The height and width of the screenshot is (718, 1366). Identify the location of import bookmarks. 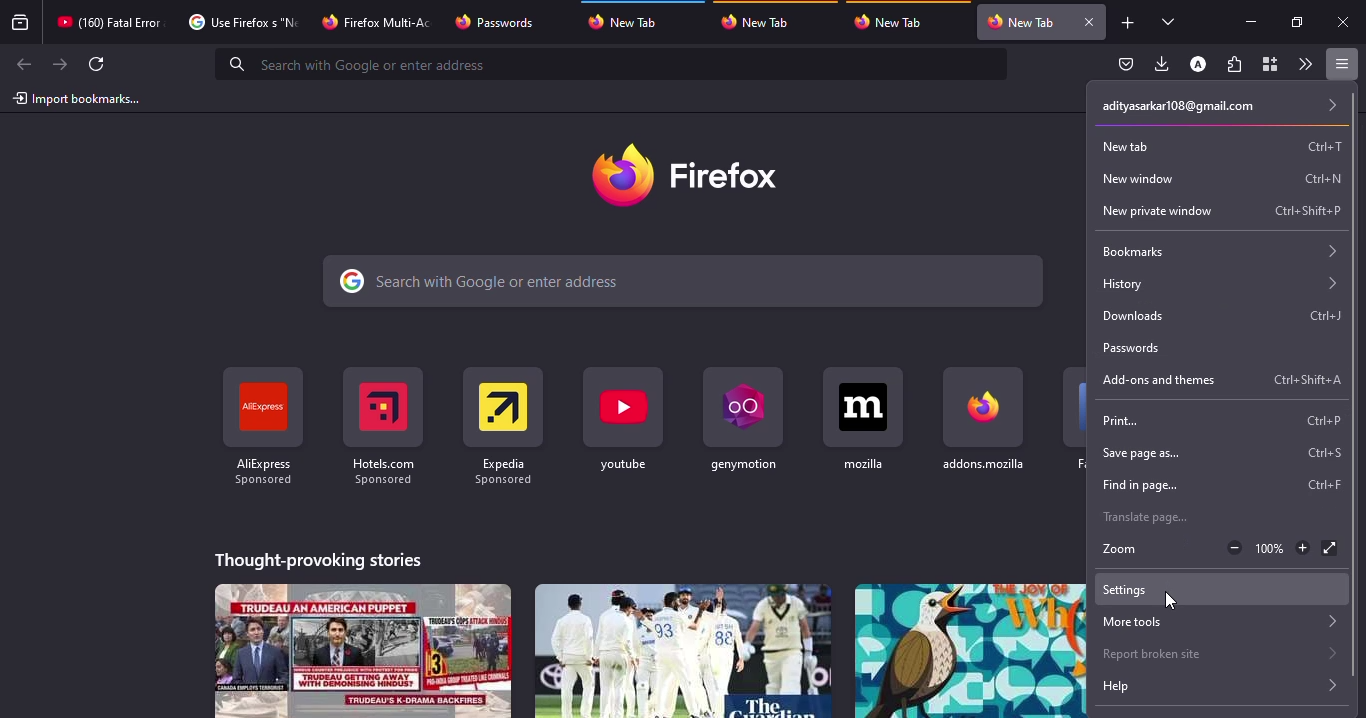
(78, 98).